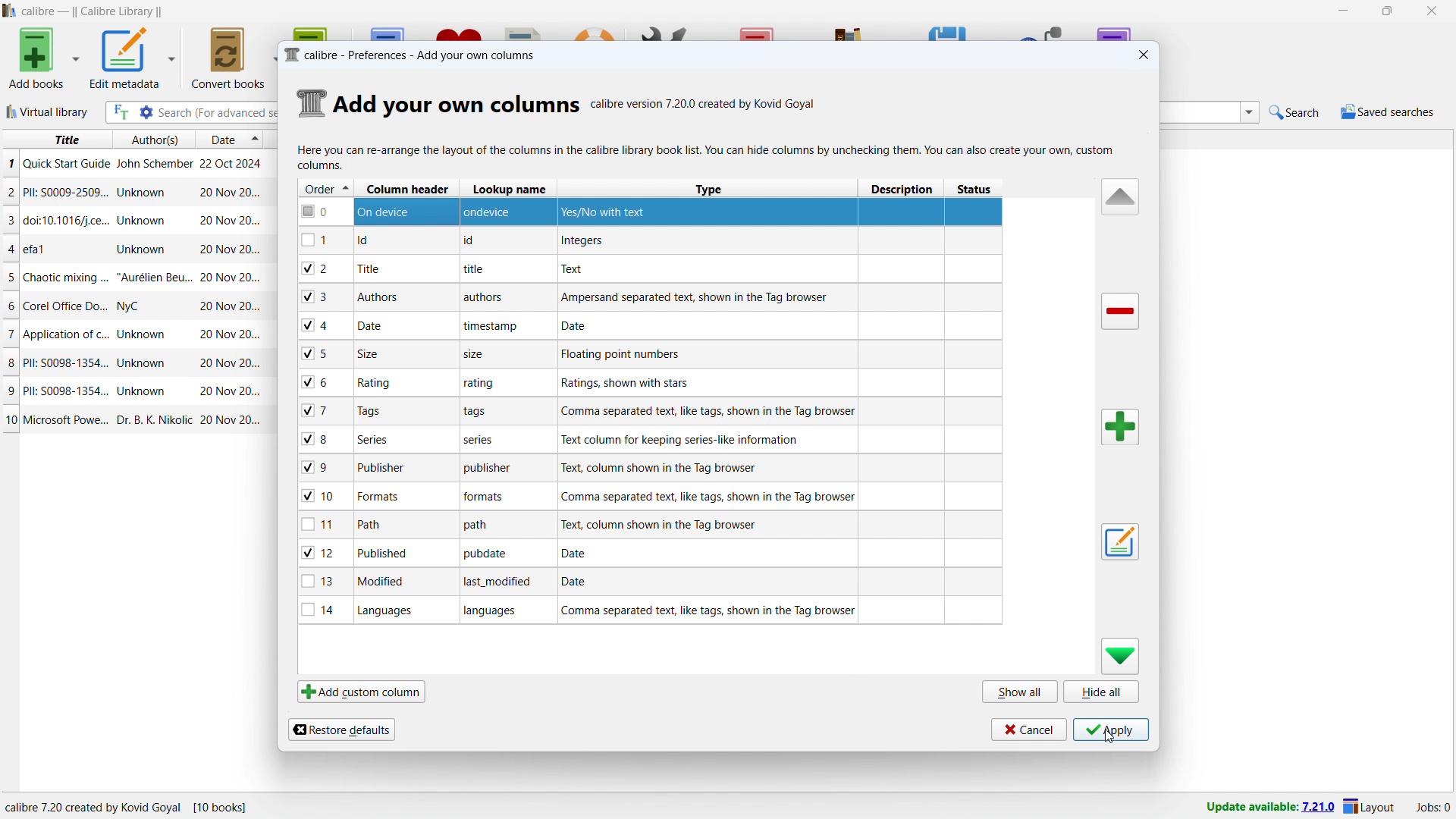  Describe the element at coordinates (648, 411) in the screenshot. I see `v. 7 Tags tags ‘Comma separated text, like tags, shown in the Tag browser` at that location.